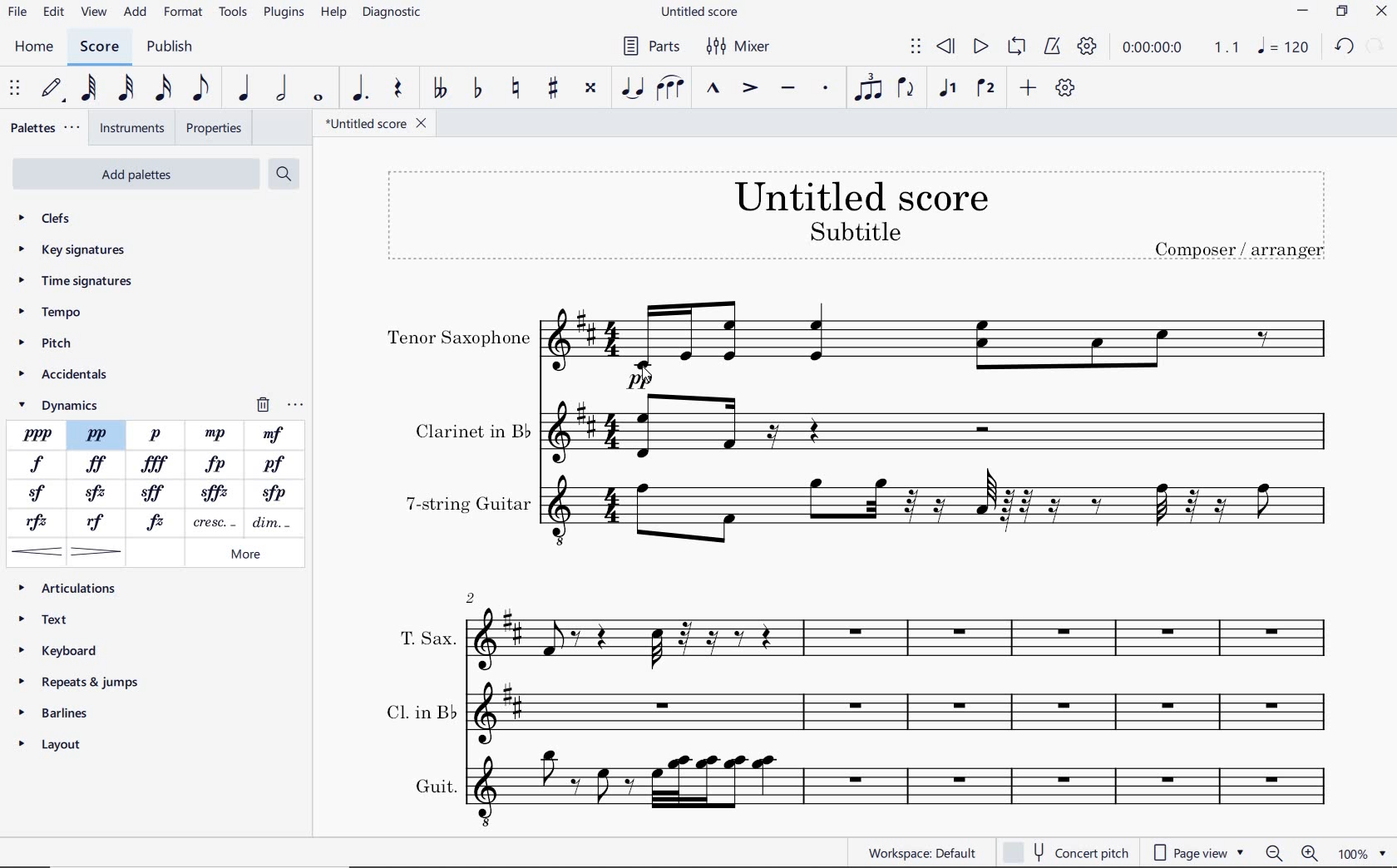  I want to click on text, so click(459, 339).